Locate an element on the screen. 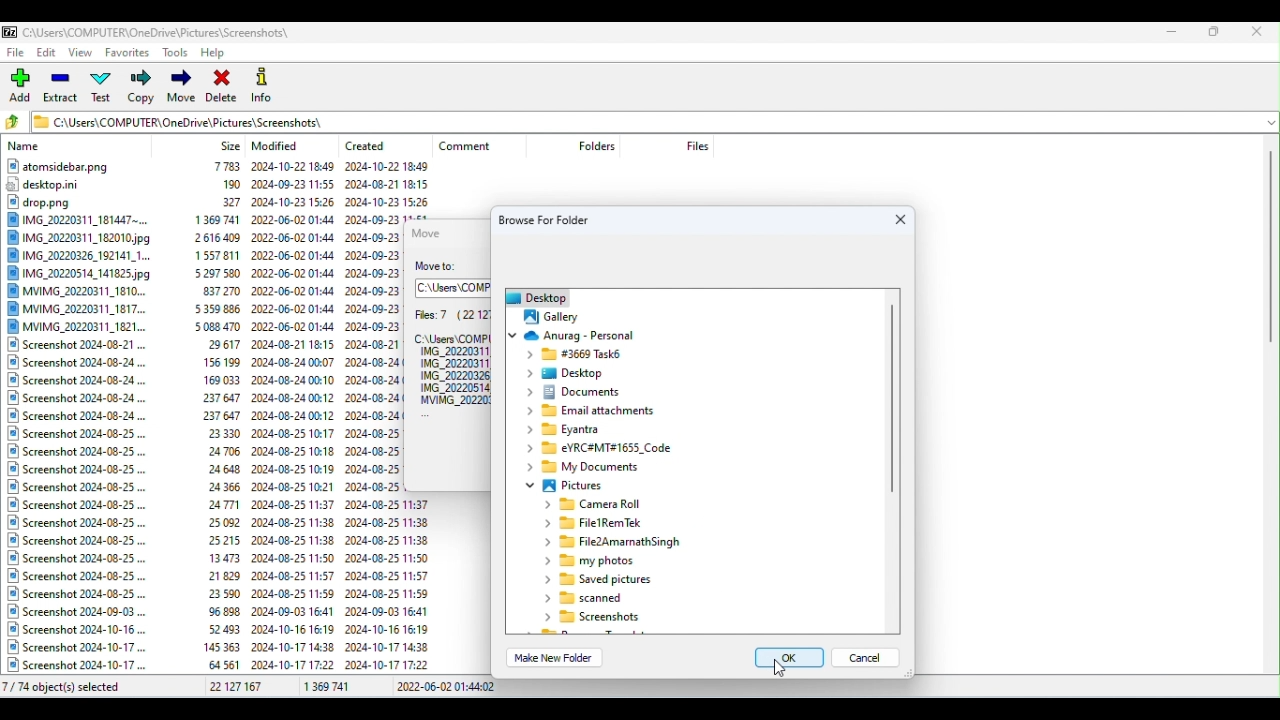 The width and height of the screenshot is (1280, 720). Folder is located at coordinates (588, 562).